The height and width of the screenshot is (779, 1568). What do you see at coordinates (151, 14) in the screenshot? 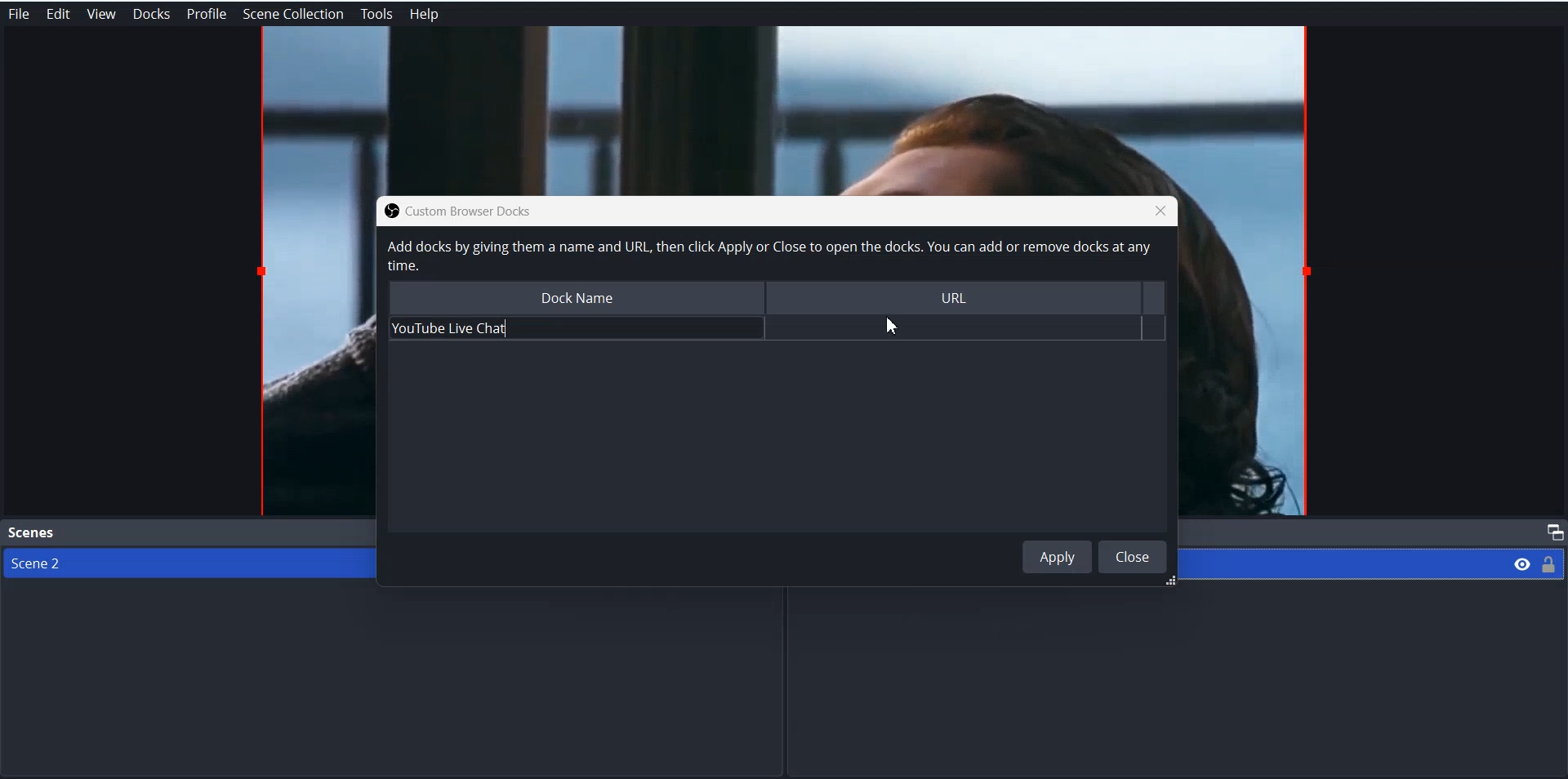
I see `Docks` at bounding box center [151, 14].